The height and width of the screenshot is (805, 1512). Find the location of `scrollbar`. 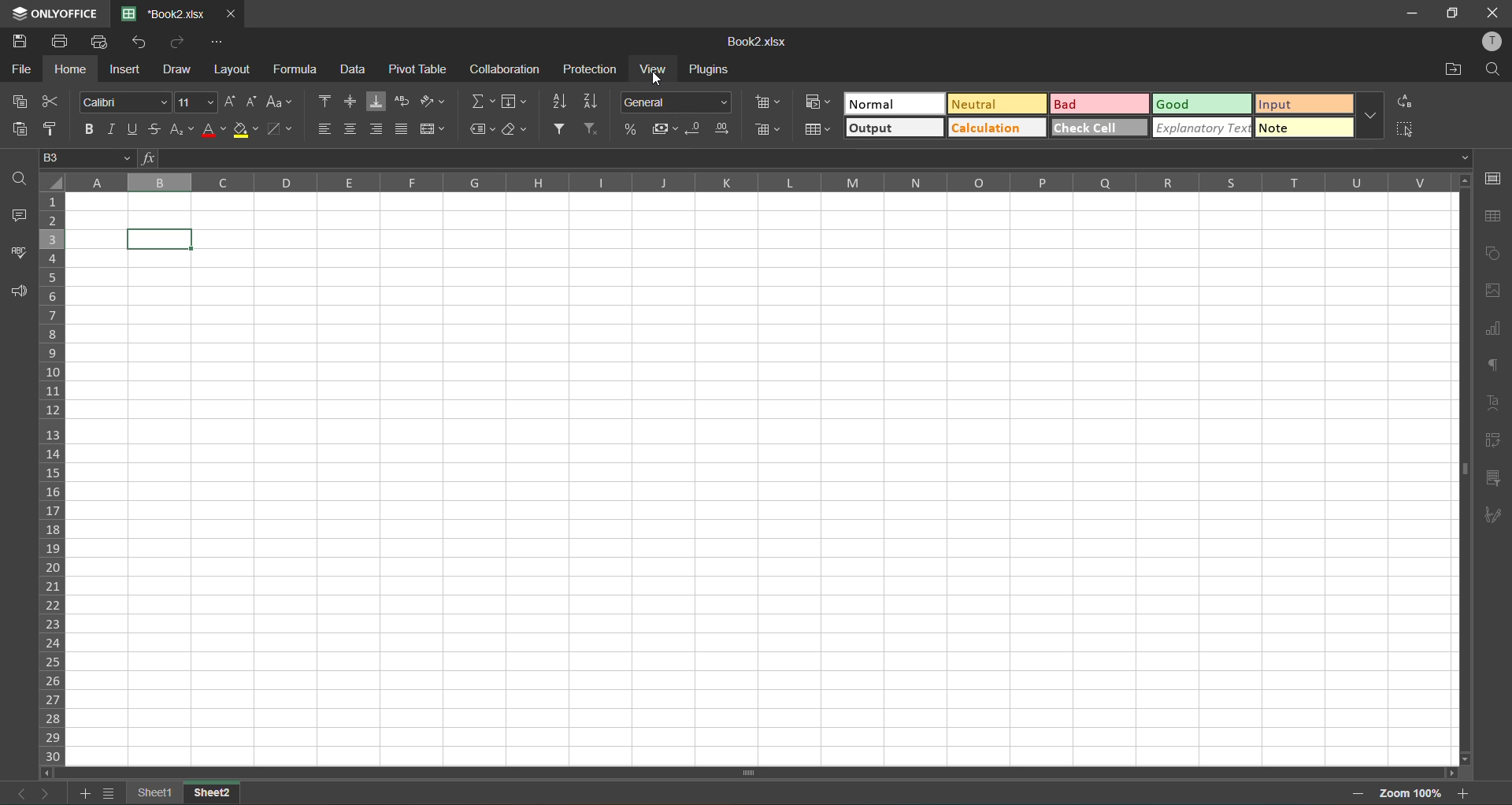

scrollbar is located at coordinates (1464, 472).